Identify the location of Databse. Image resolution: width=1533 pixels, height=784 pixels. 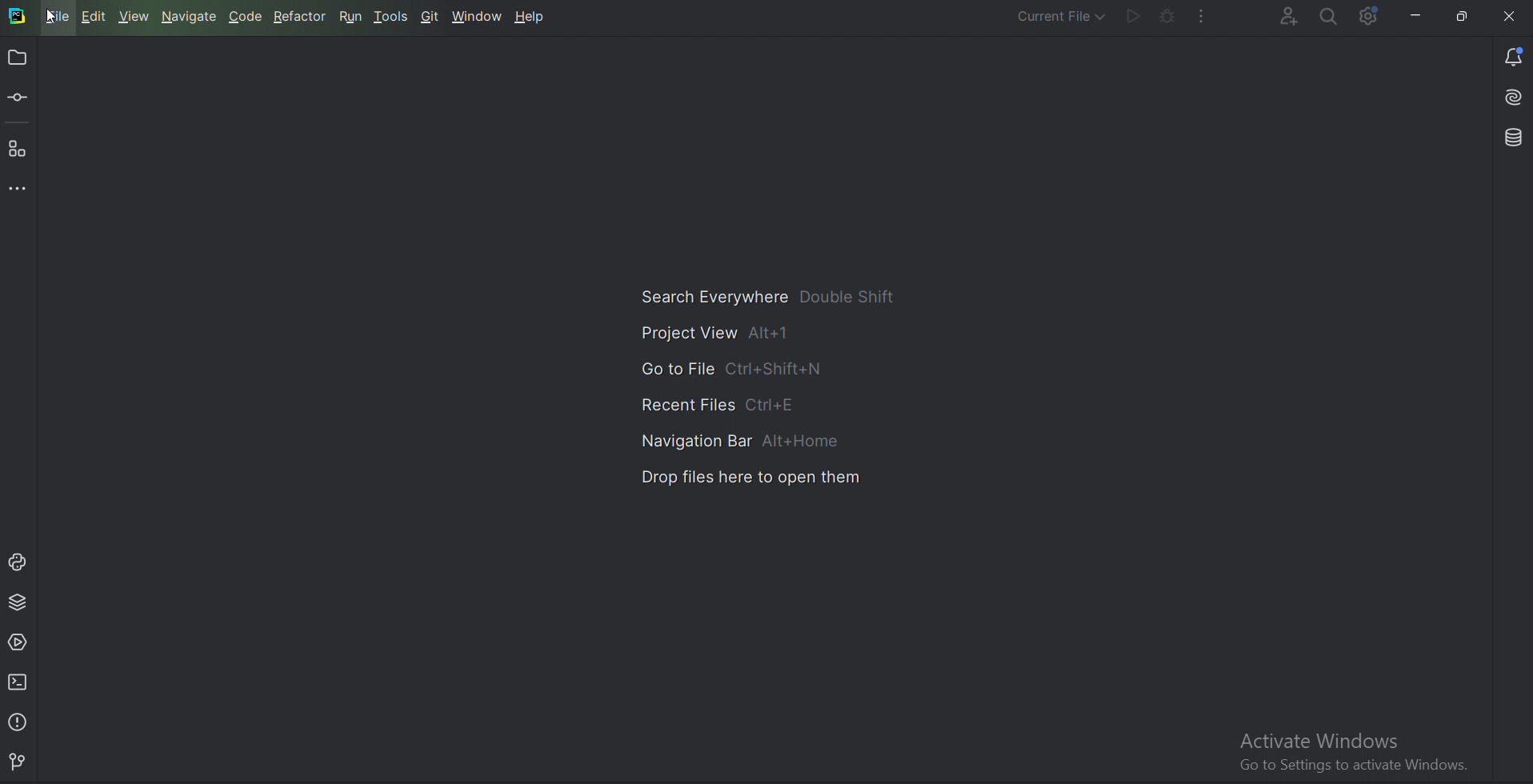
(1511, 137).